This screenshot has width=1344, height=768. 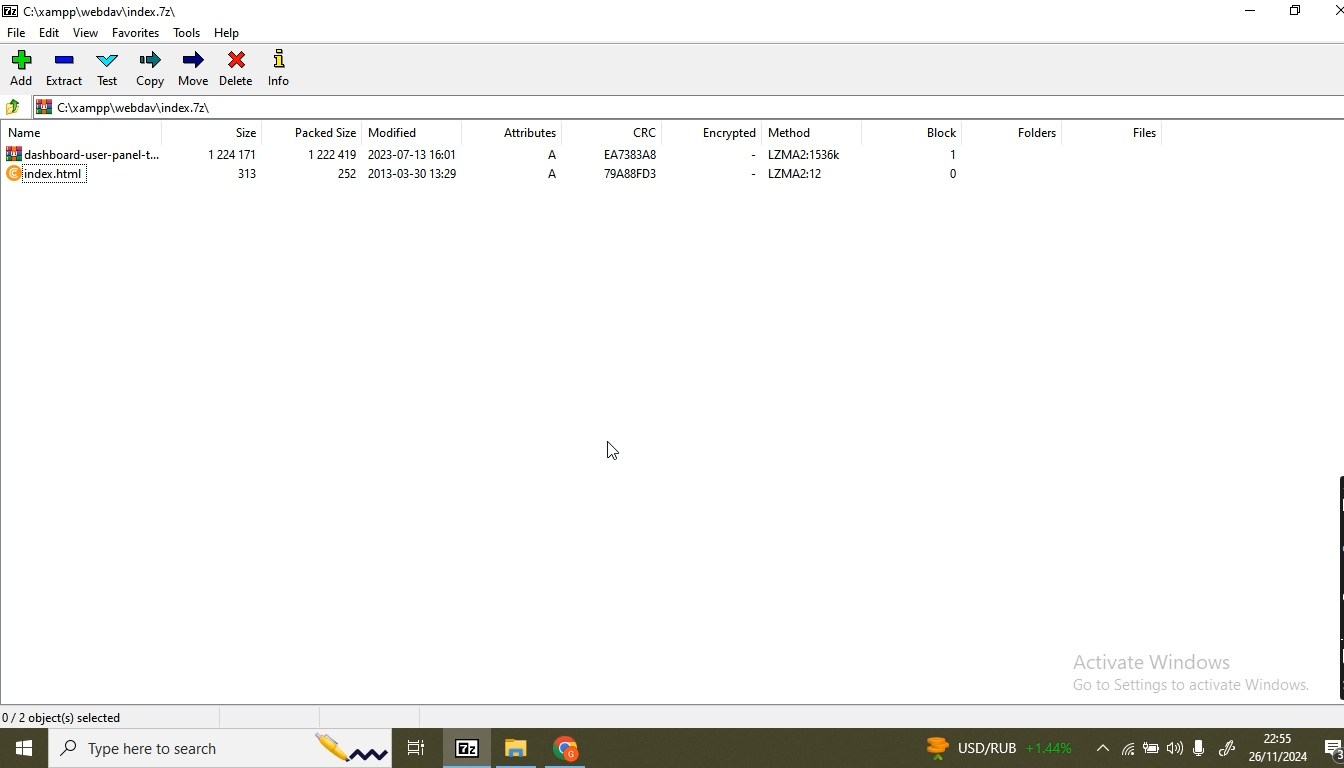 I want to click on copy, so click(x=150, y=70).